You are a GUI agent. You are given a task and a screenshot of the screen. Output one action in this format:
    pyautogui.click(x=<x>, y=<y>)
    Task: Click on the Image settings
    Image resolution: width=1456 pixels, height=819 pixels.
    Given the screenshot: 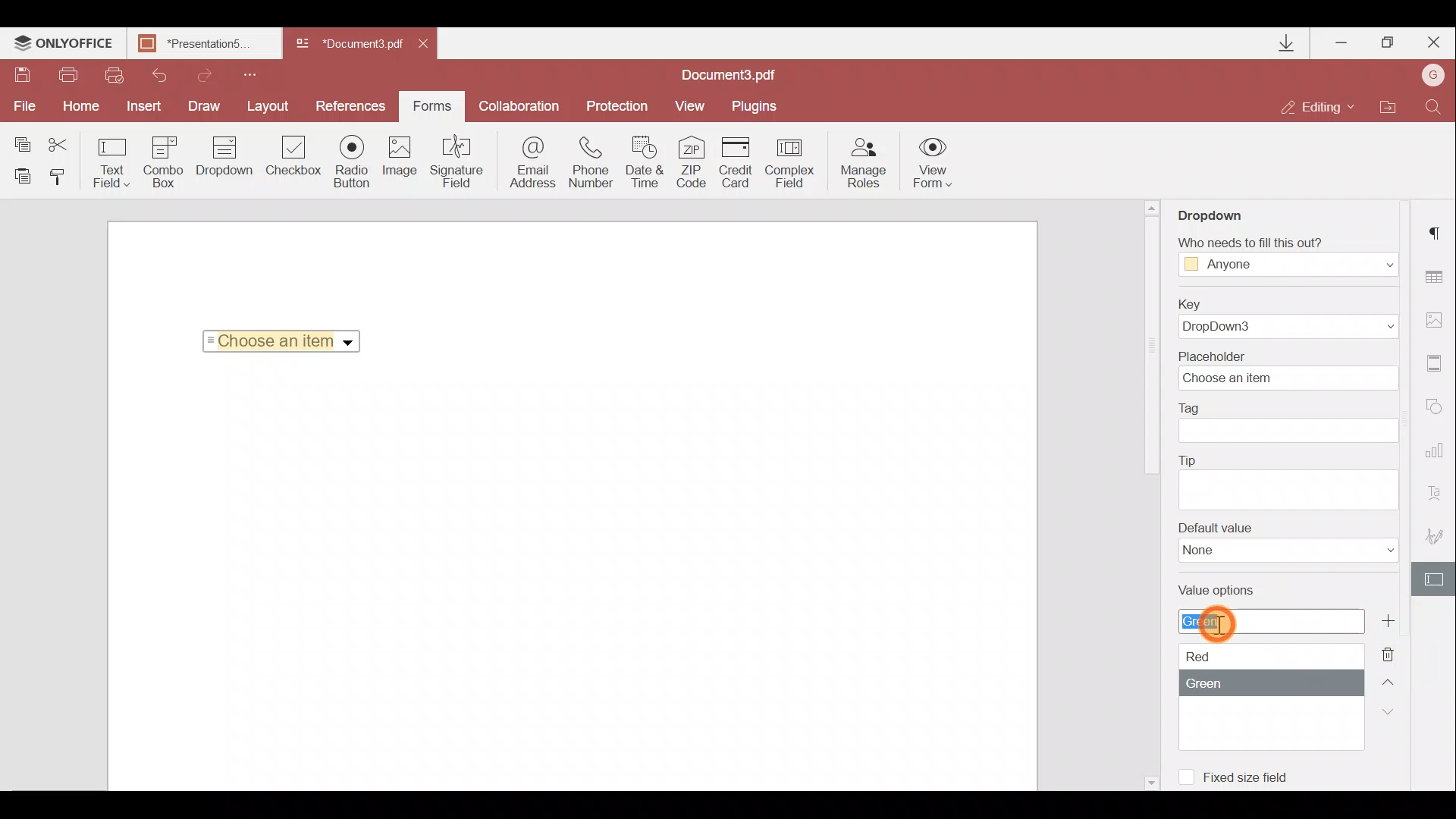 What is the action you would take?
    pyautogui.click(x=1439, y=319)
    